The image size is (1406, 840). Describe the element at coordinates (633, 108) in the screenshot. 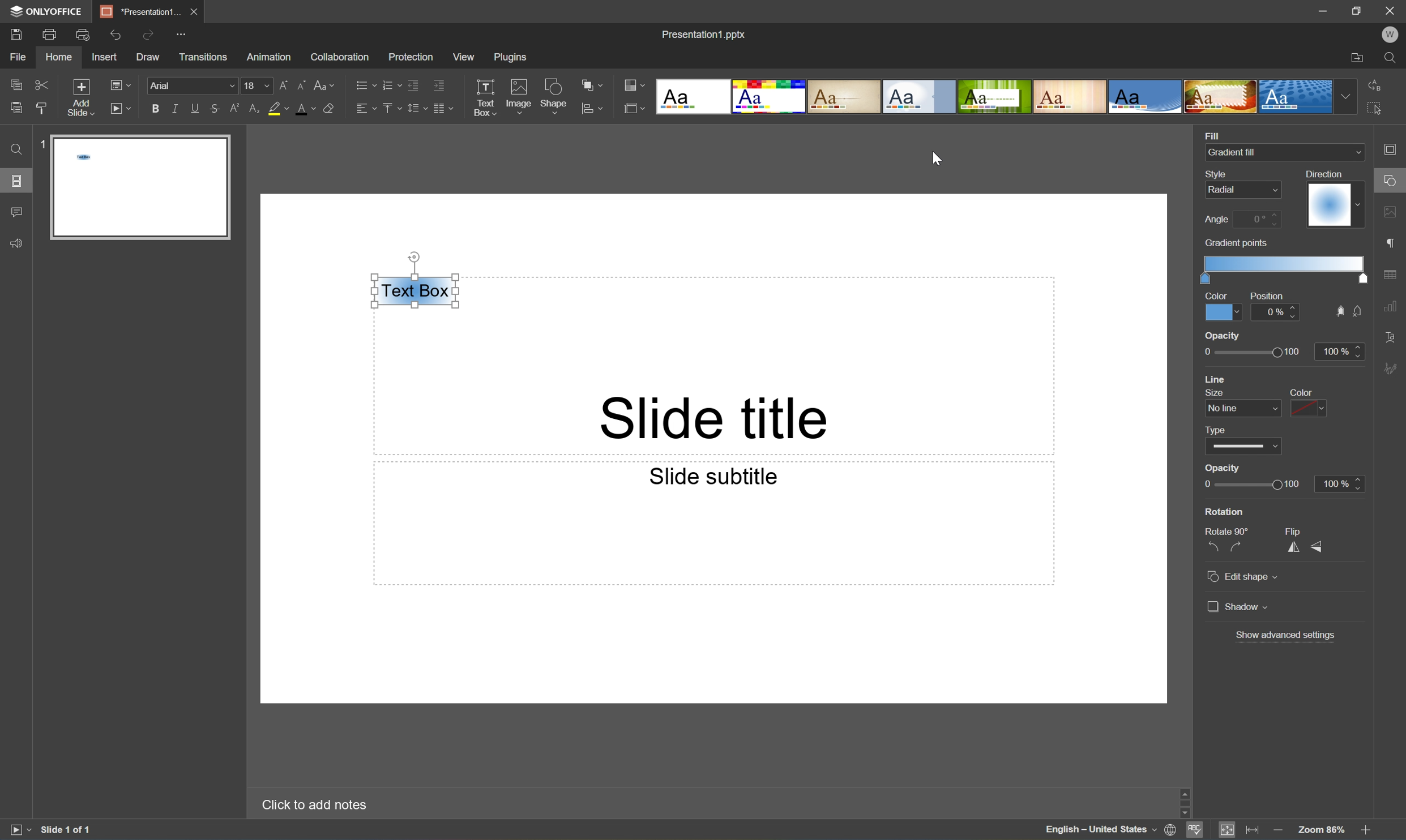

I see `Select Slide size` at that location.